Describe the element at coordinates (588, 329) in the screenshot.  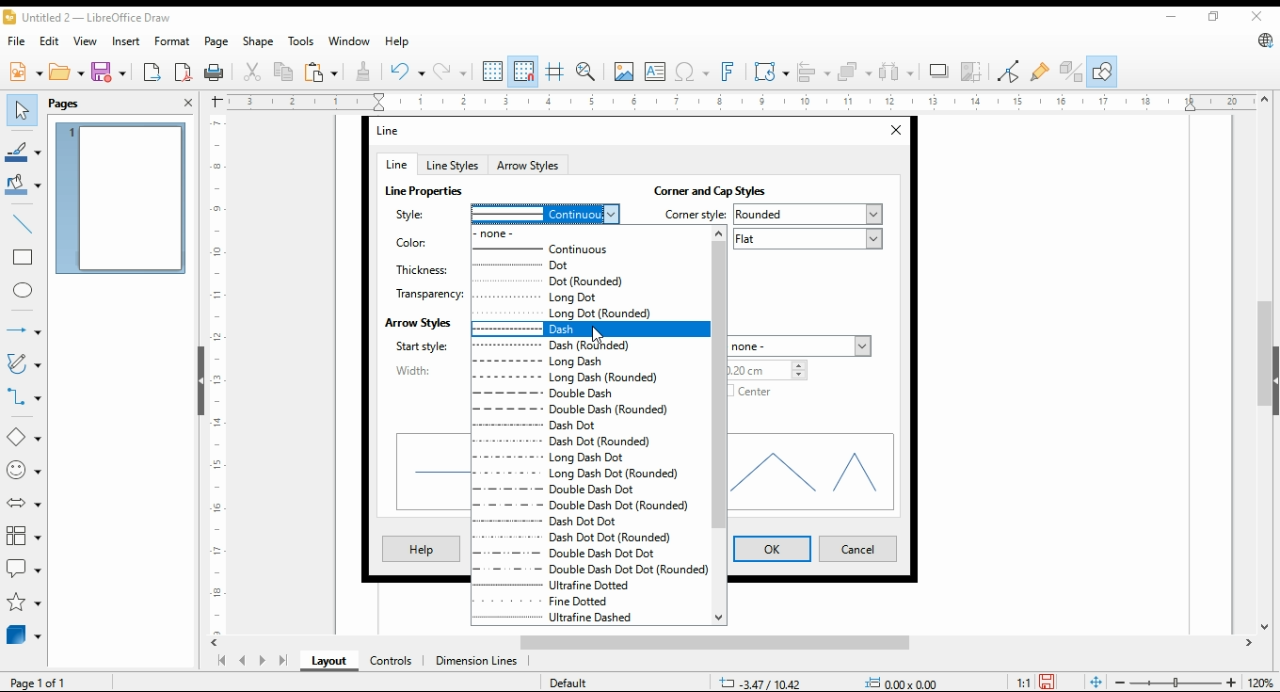
I see `dash` at that location.